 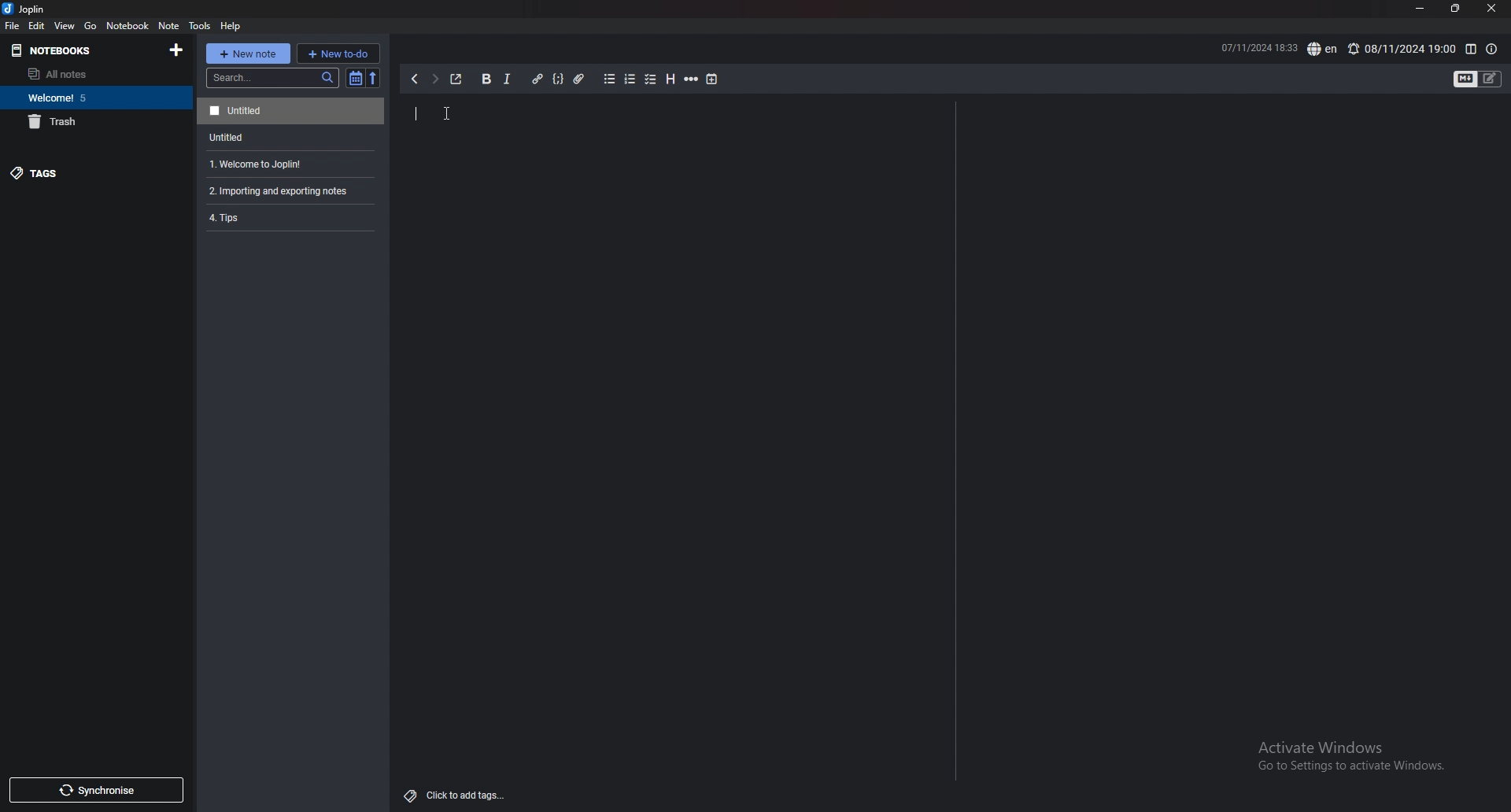 What do you see at coordinates (376, 78) in the screenshot?
I see `reverse sort order` at bounding box center [376, 78].